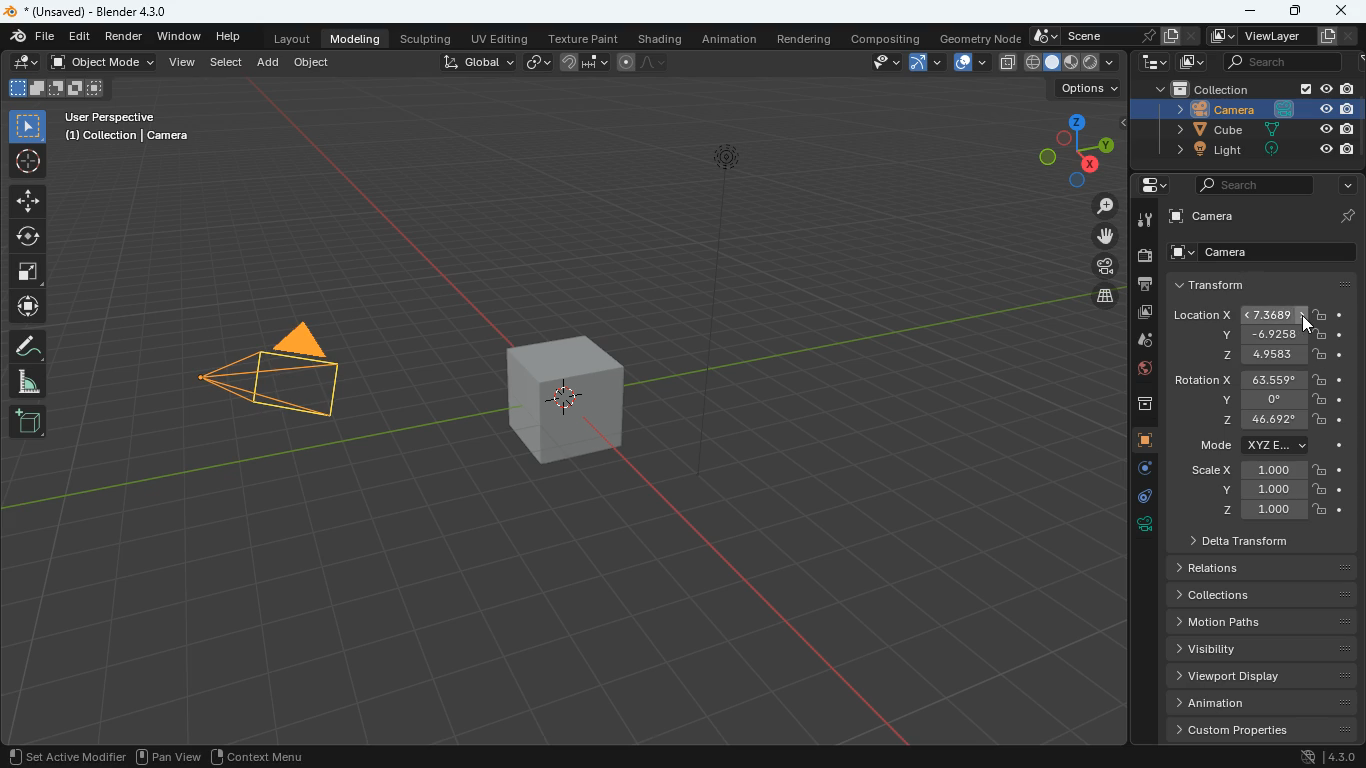  I want to click on dimensions, so click(1068, 149).